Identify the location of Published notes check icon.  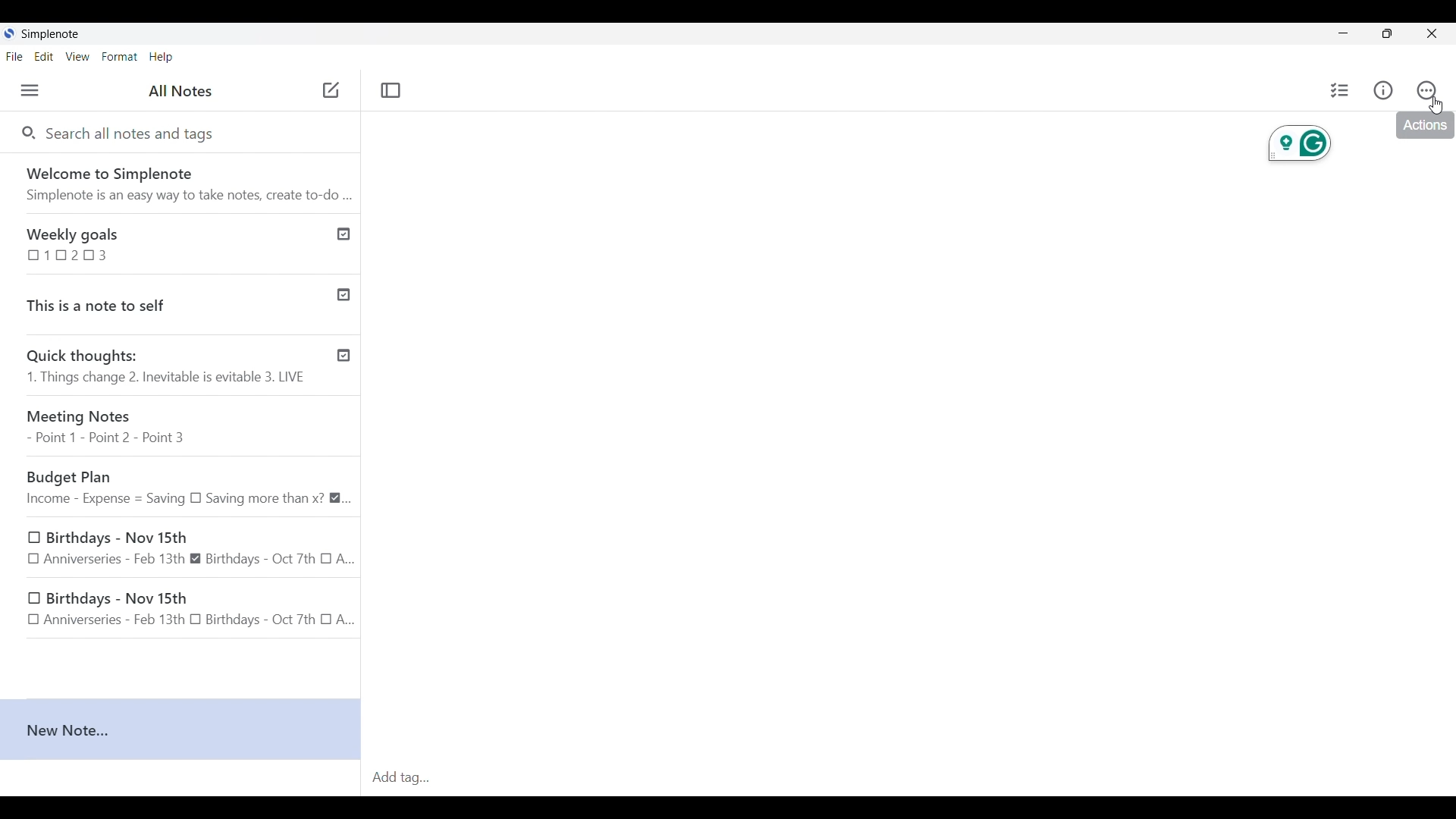
(344, 292).